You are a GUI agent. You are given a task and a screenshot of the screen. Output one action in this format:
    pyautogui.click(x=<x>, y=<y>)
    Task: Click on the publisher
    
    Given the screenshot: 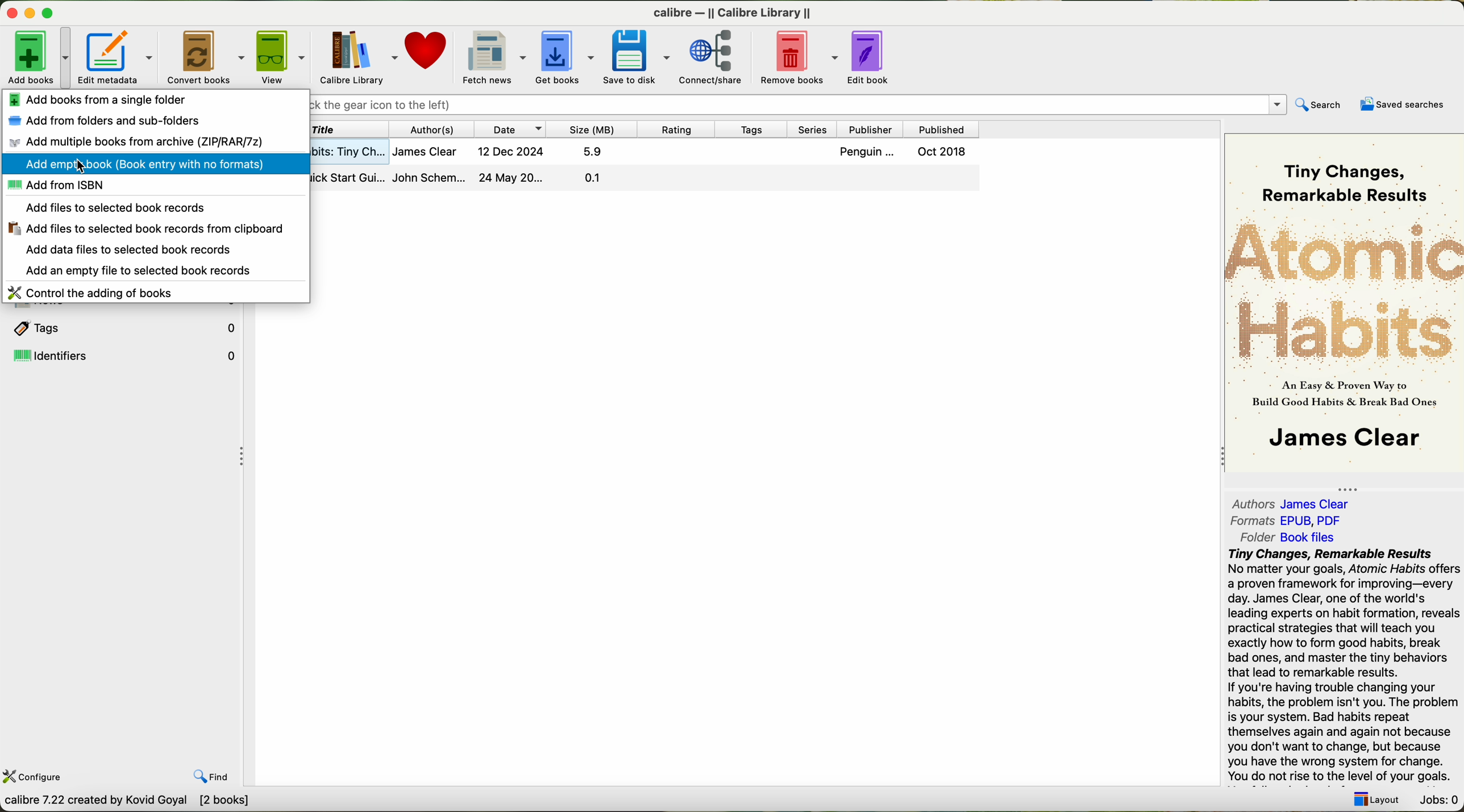 What is the action you would take?
    pyautogui.click(x=871, y=129)
    